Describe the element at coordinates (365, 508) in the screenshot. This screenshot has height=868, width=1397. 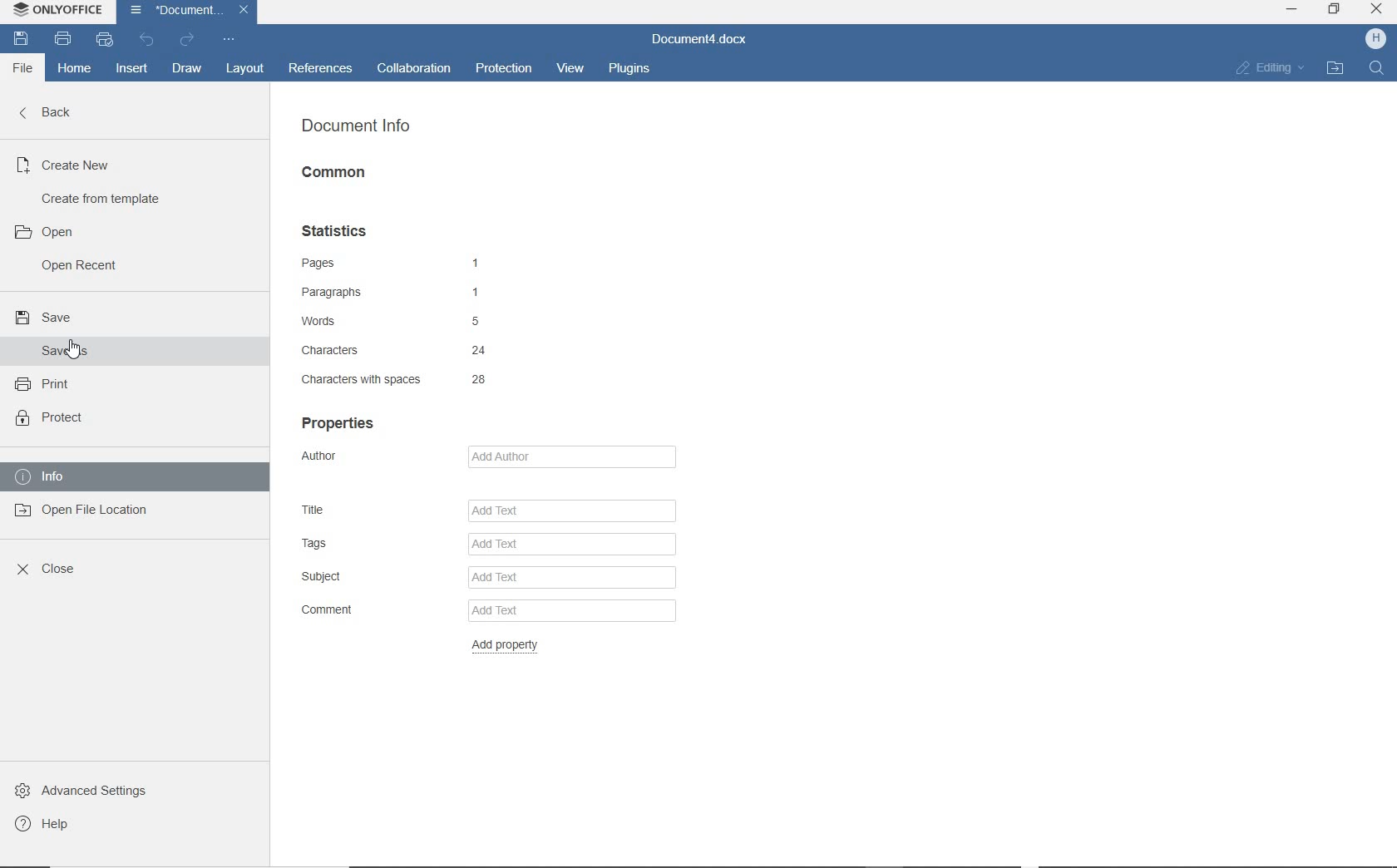
I see `title` at that location.